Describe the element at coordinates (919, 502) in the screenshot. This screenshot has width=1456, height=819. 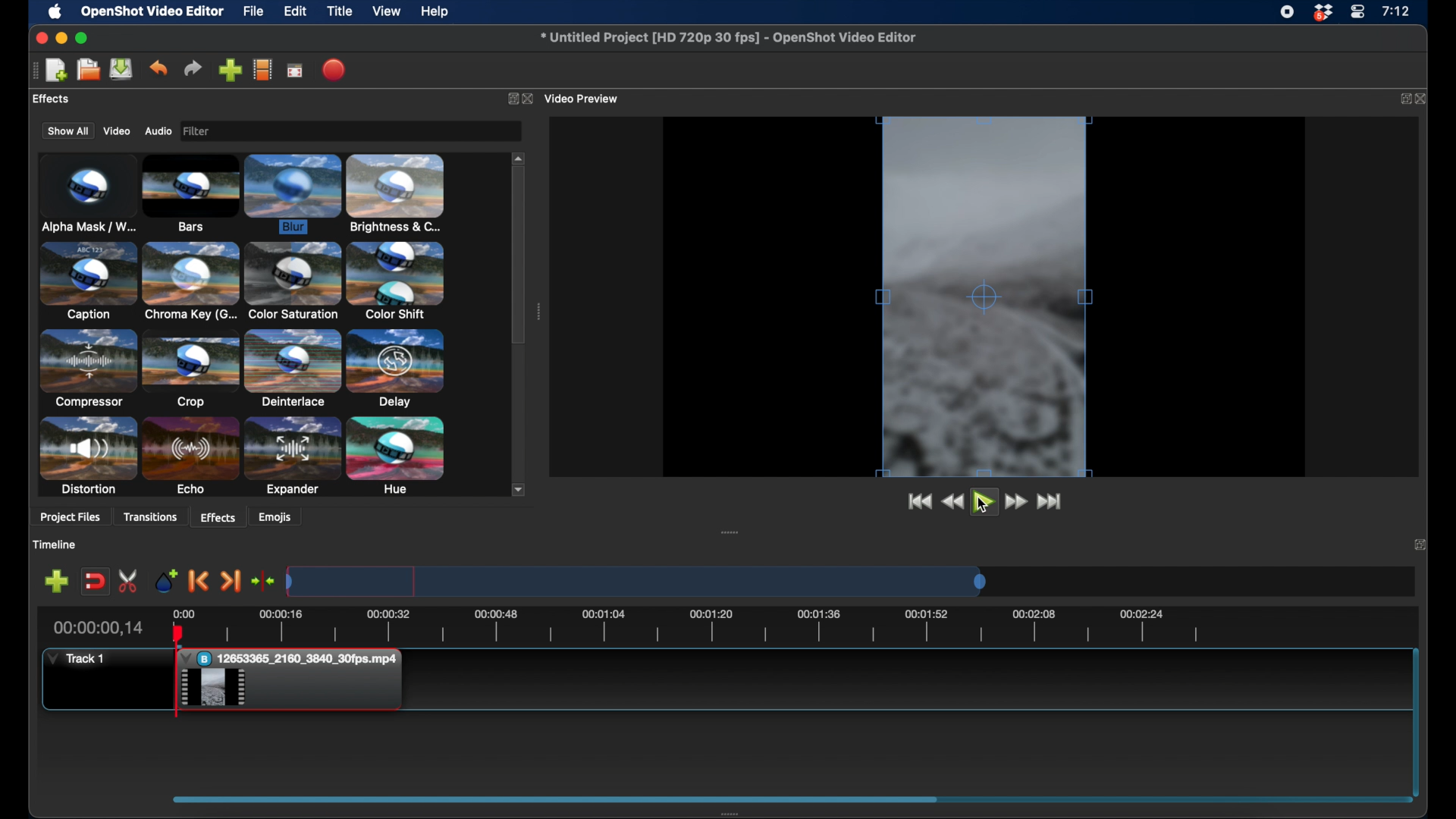
I see `jump to start` at that location.